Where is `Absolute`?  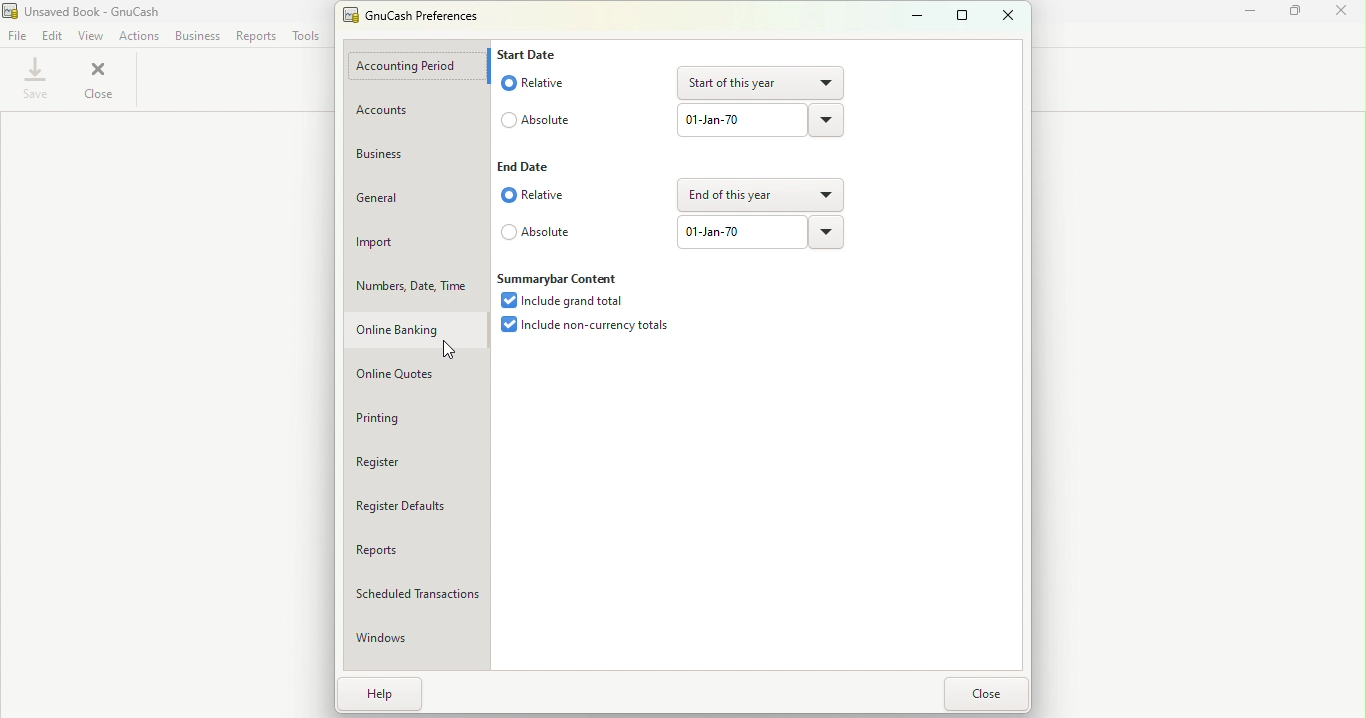 Absolute is located at coordinates (536, 115).